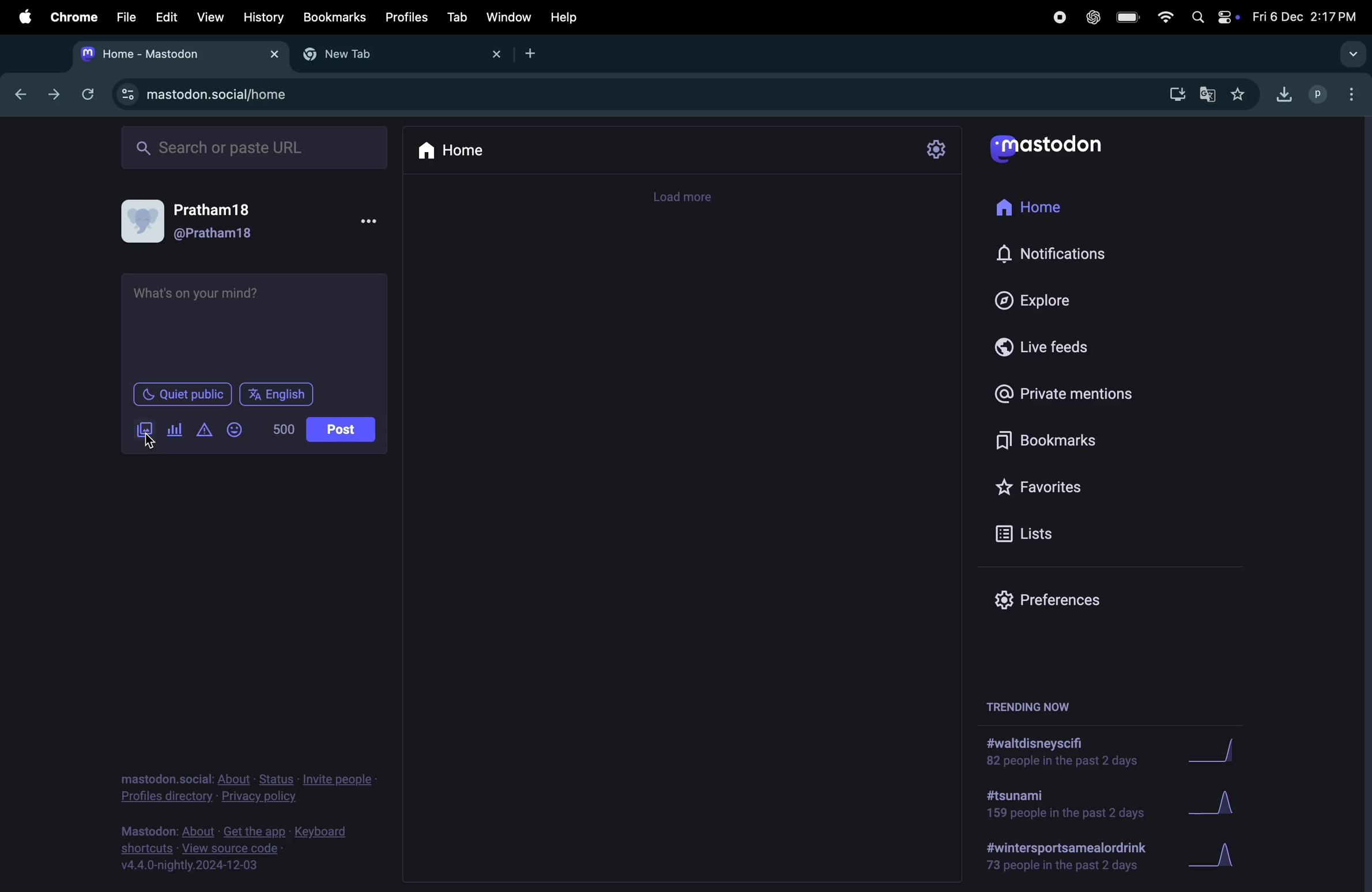  Describe the element at coordinates (1304, 16) in the screenshot. I see `date and time` at that location.